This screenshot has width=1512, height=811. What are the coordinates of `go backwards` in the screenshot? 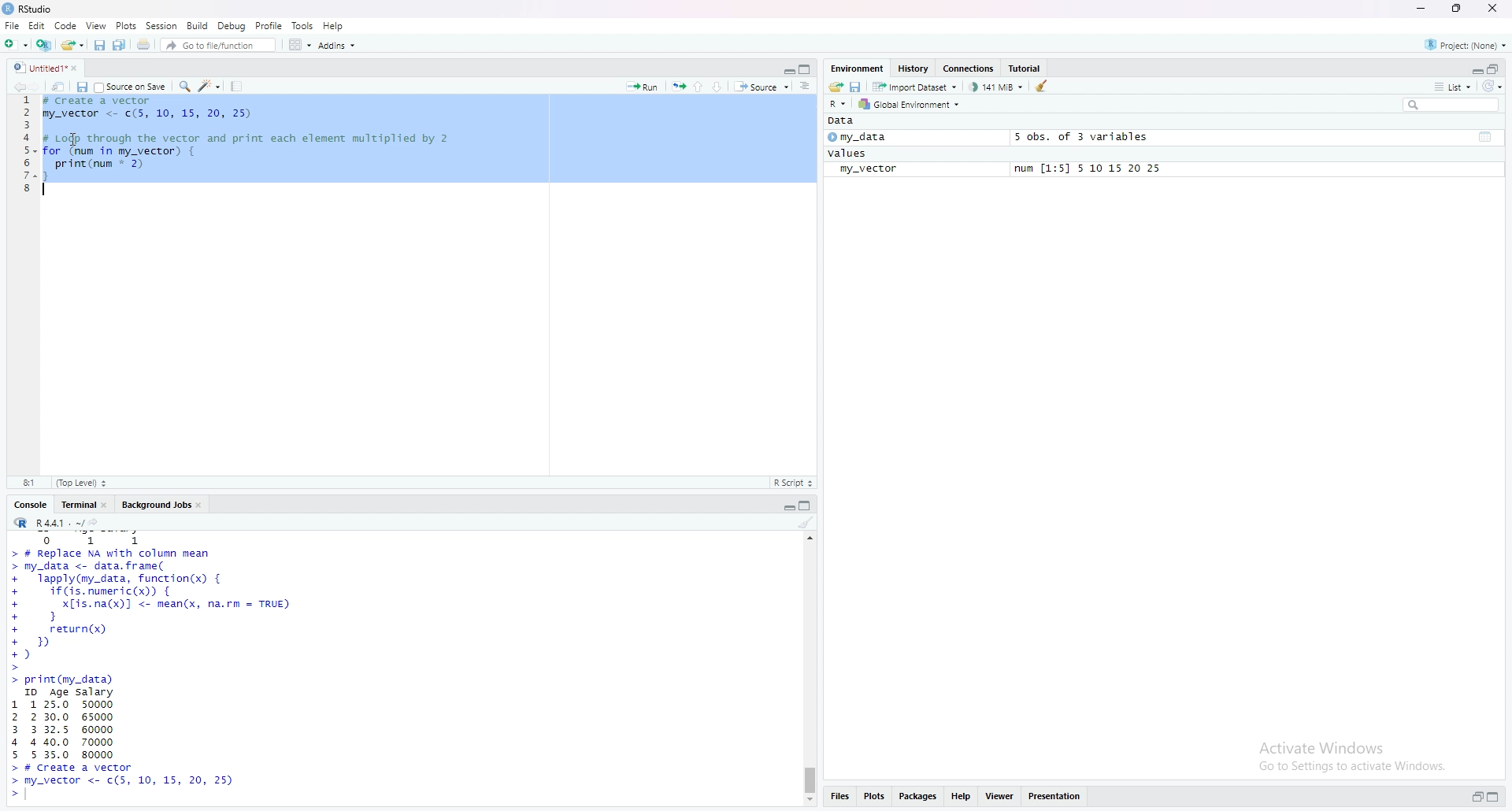 It's located at (17, 87).